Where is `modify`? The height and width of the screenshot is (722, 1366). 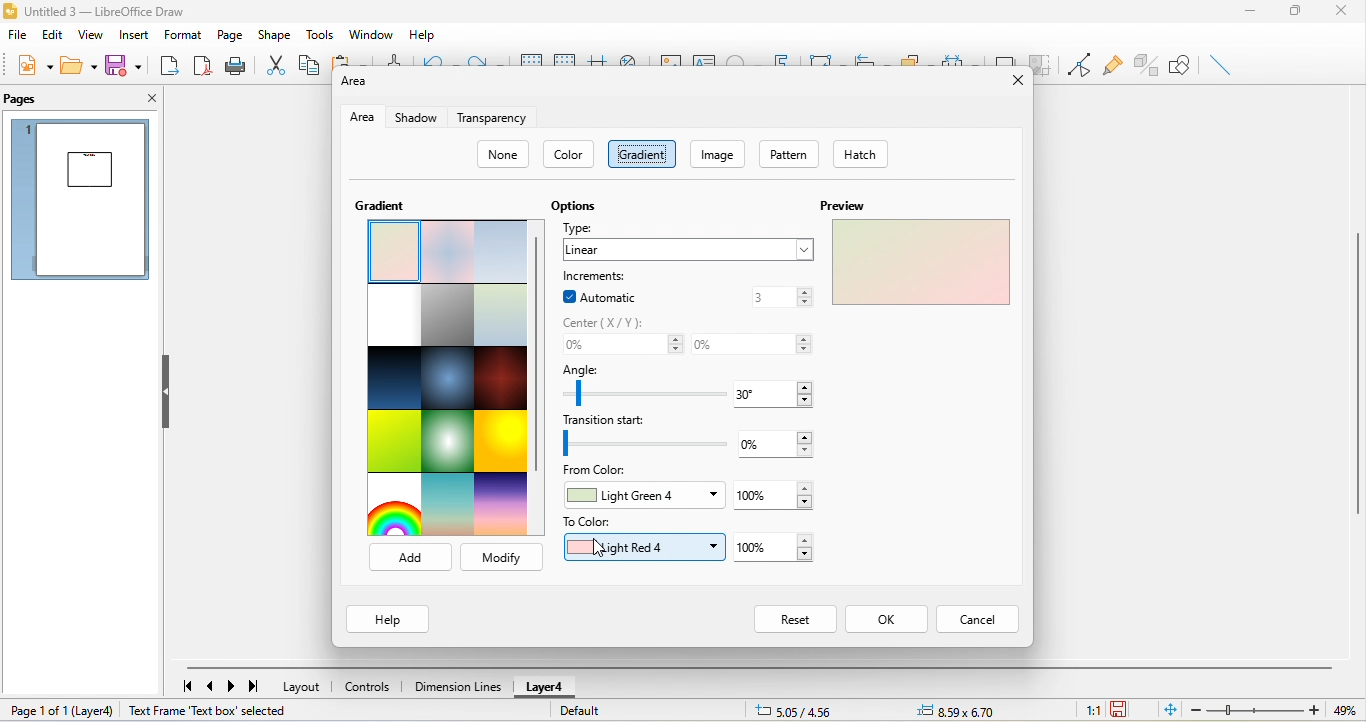
modify is located at coordinates (501, 556).